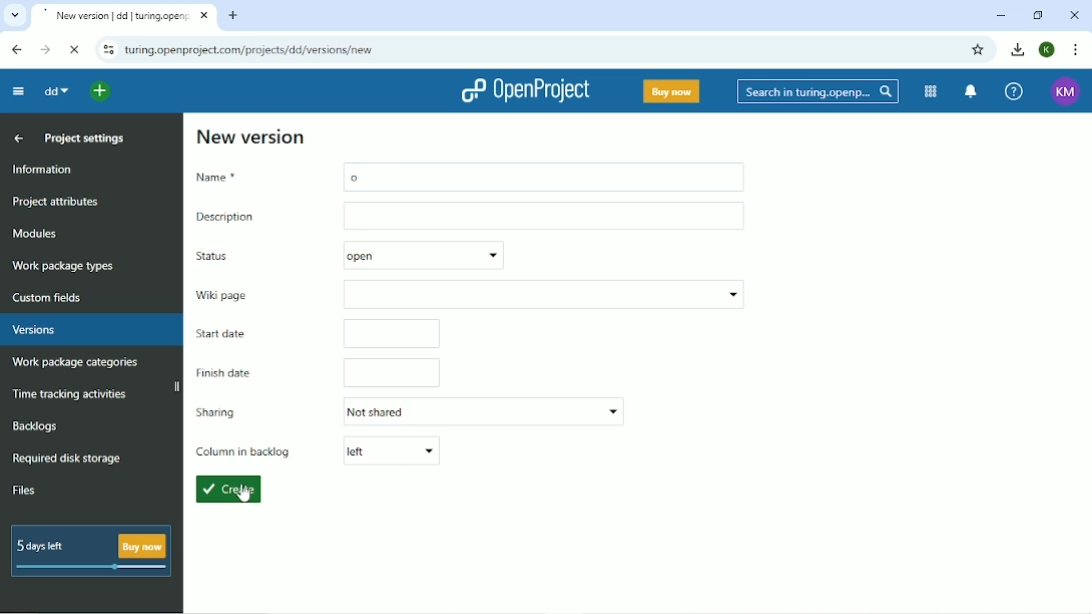 The width and height of the screenshot is (1092, 614). I want to click on Select a project, so click(99, 92).